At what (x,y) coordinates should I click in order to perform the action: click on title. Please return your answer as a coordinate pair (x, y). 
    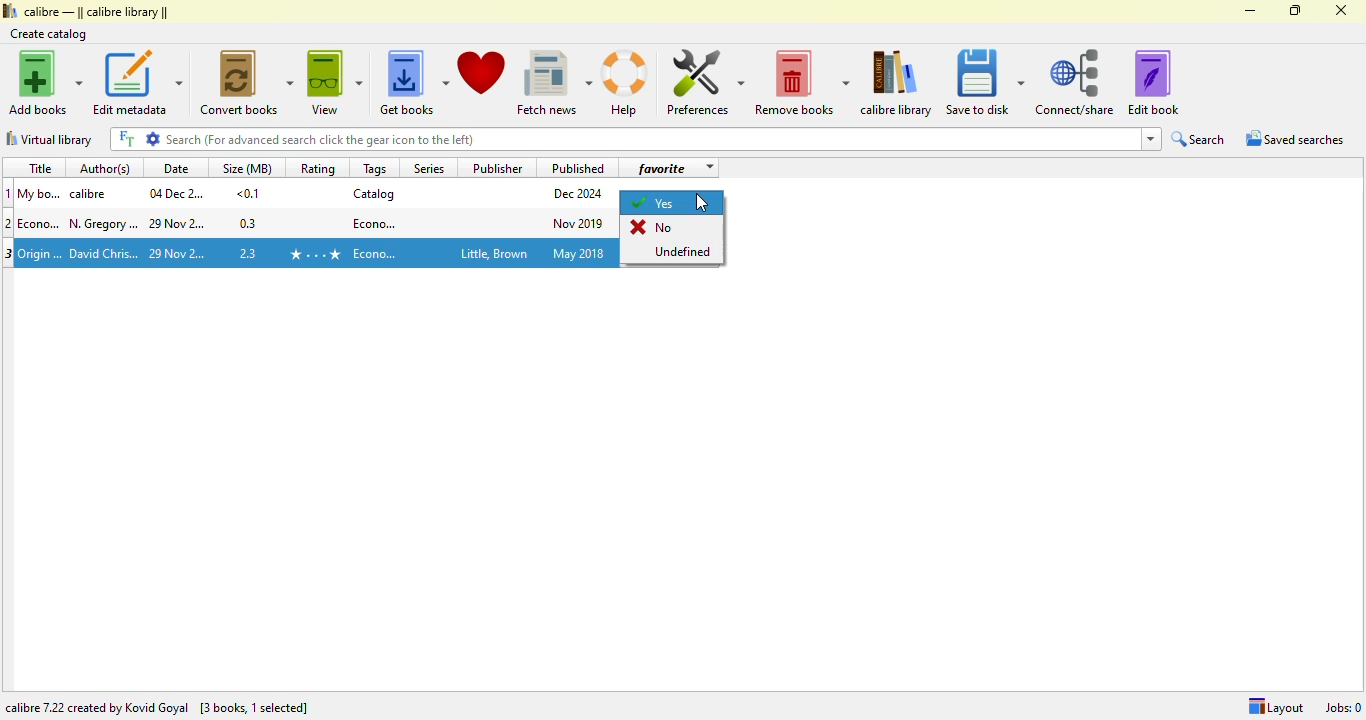
    Looking at the image, I should click on (41, 223).